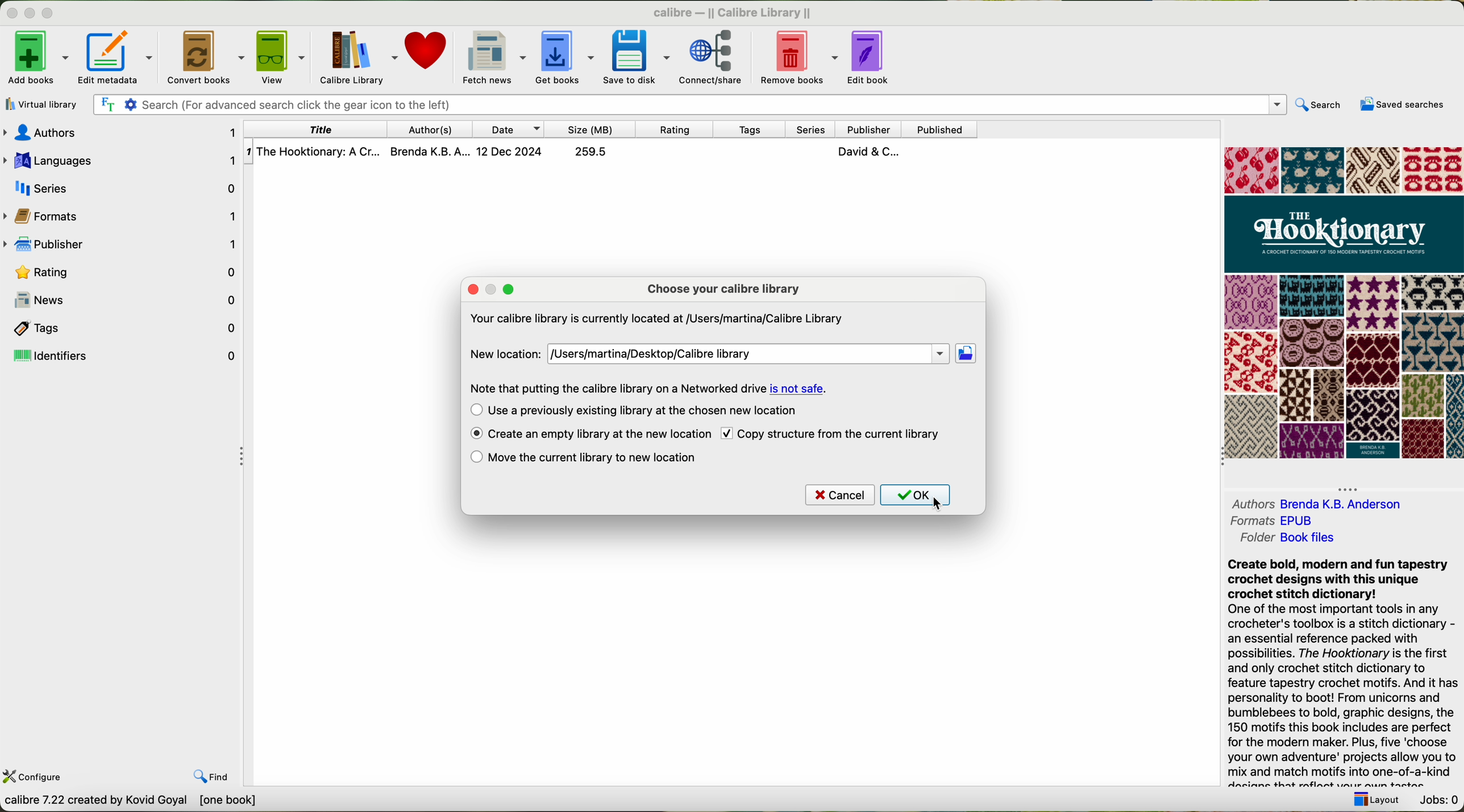  I want to click on move the current library to the new location, so click(597, 457).